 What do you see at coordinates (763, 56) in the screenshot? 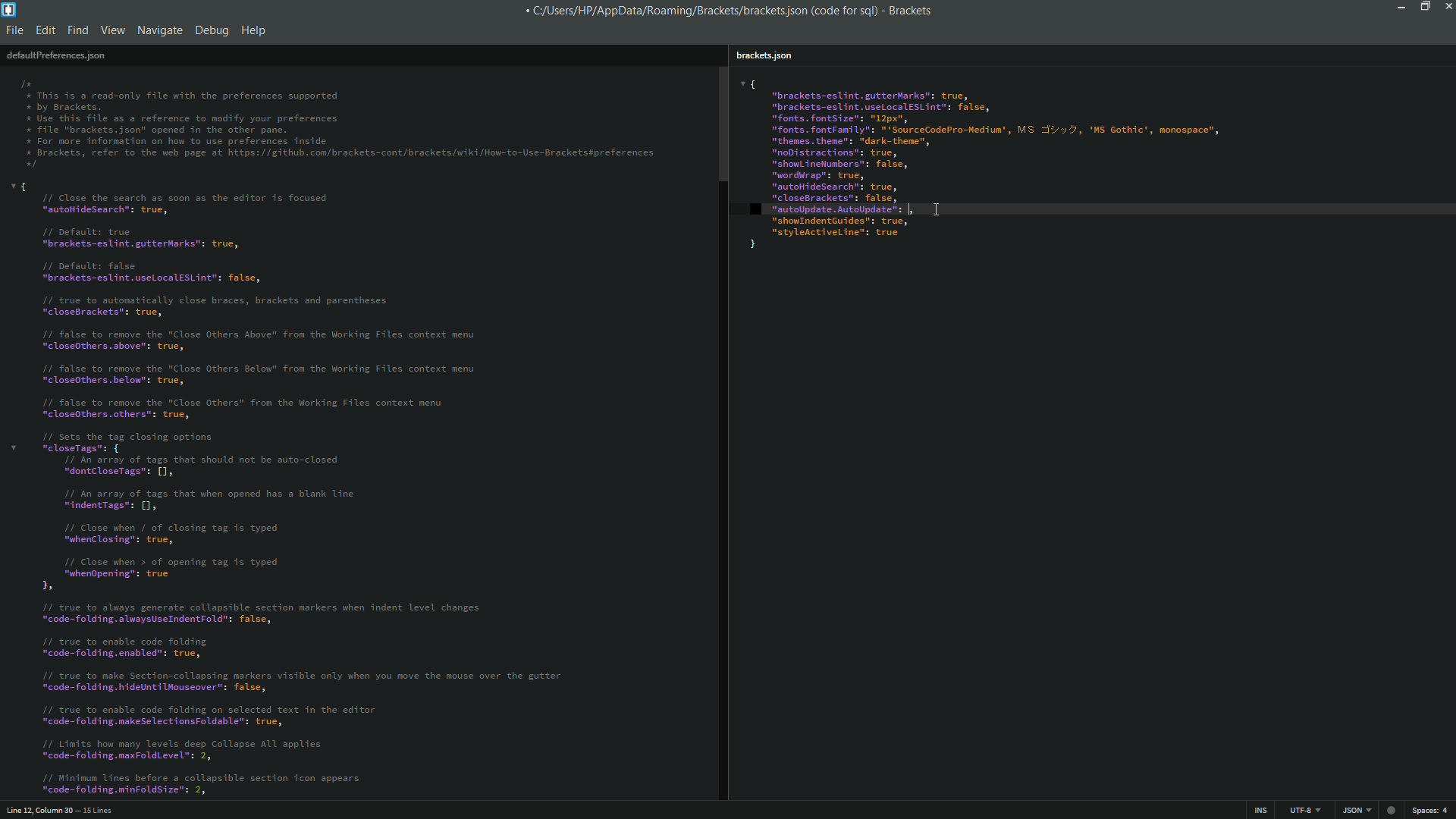
I see `brackets.json` at bounding box center [763, 56].